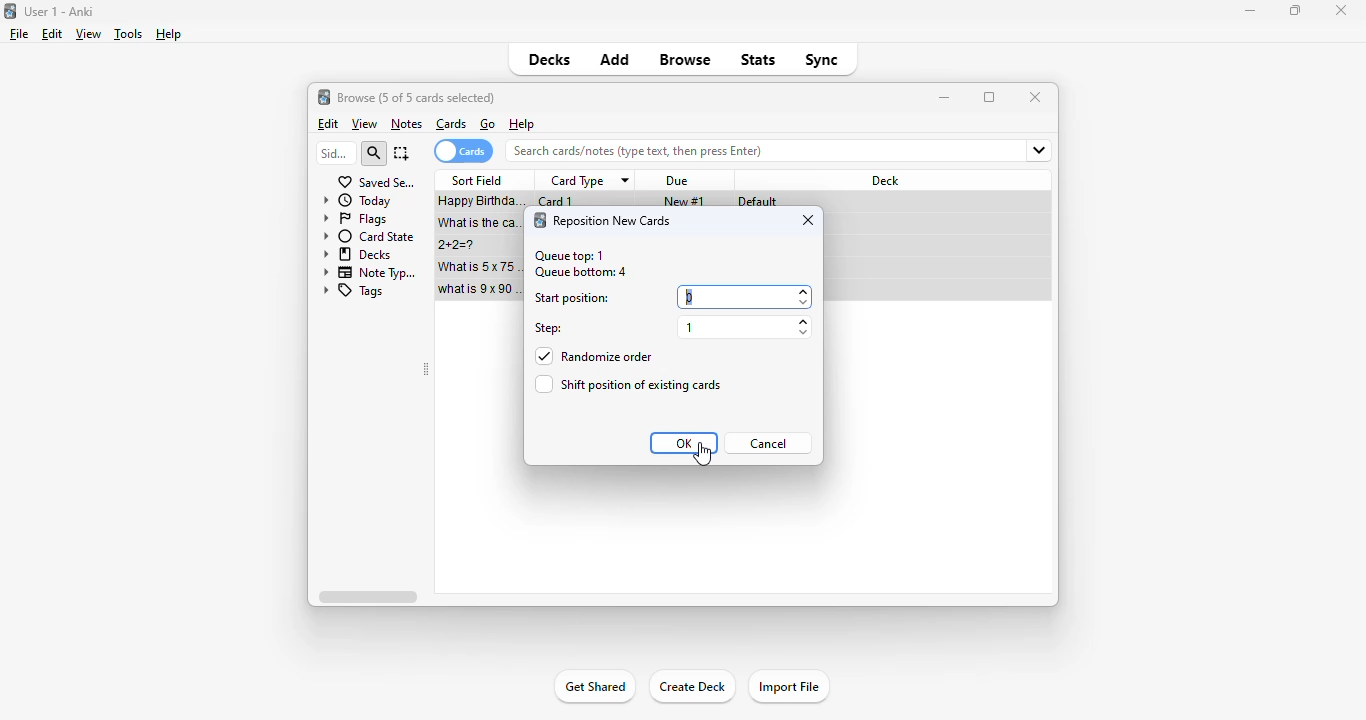 The height and width of the screenshot is (720, 1366). I want to click on saved searches, so click(377, 182).